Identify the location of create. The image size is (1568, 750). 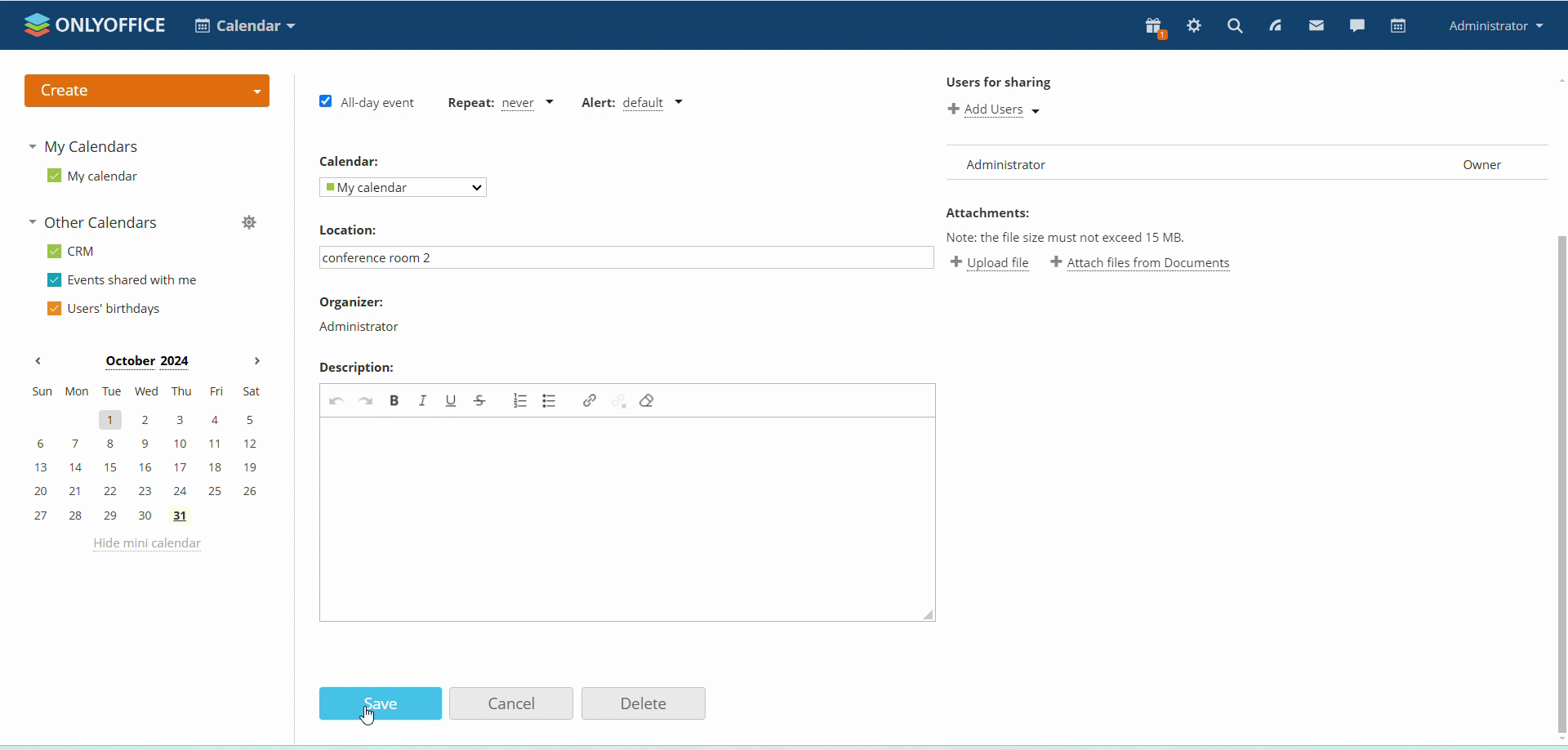
(145, 91).